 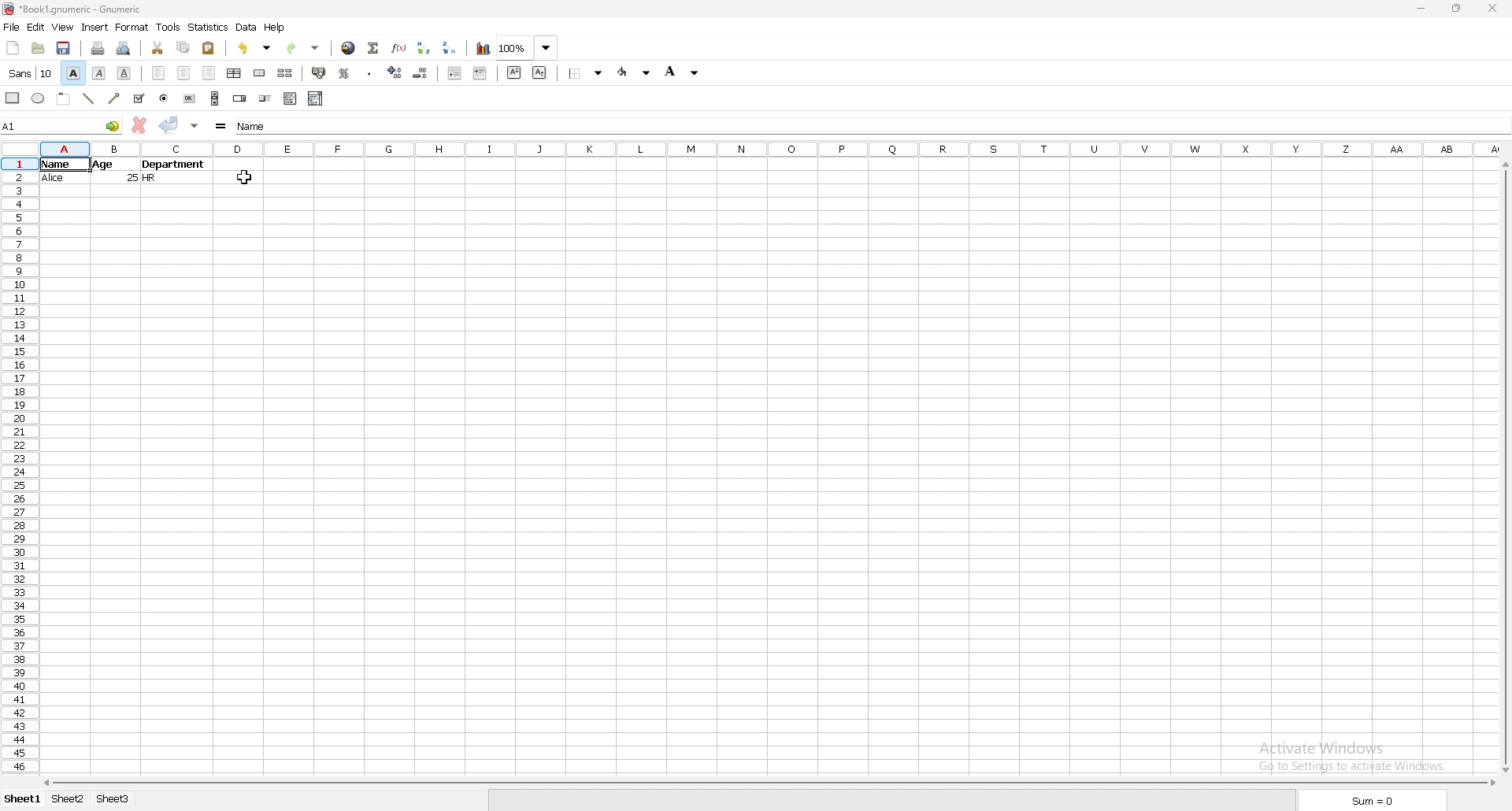 I want to click on subscript, so click(x=540, y=72).